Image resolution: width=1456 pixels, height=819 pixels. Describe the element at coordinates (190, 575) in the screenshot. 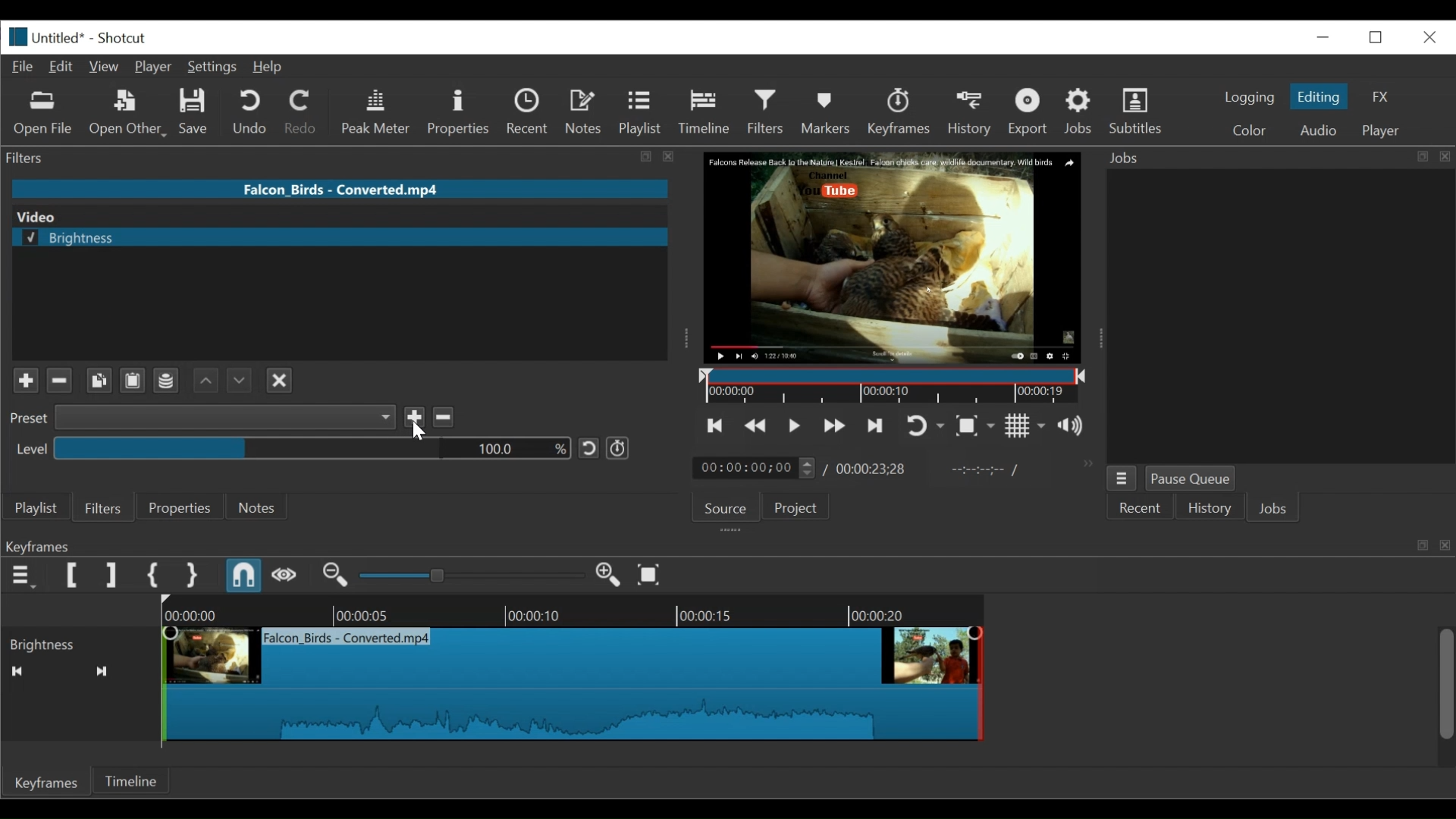

I see `Set Second Simple Keyframe` at that location.